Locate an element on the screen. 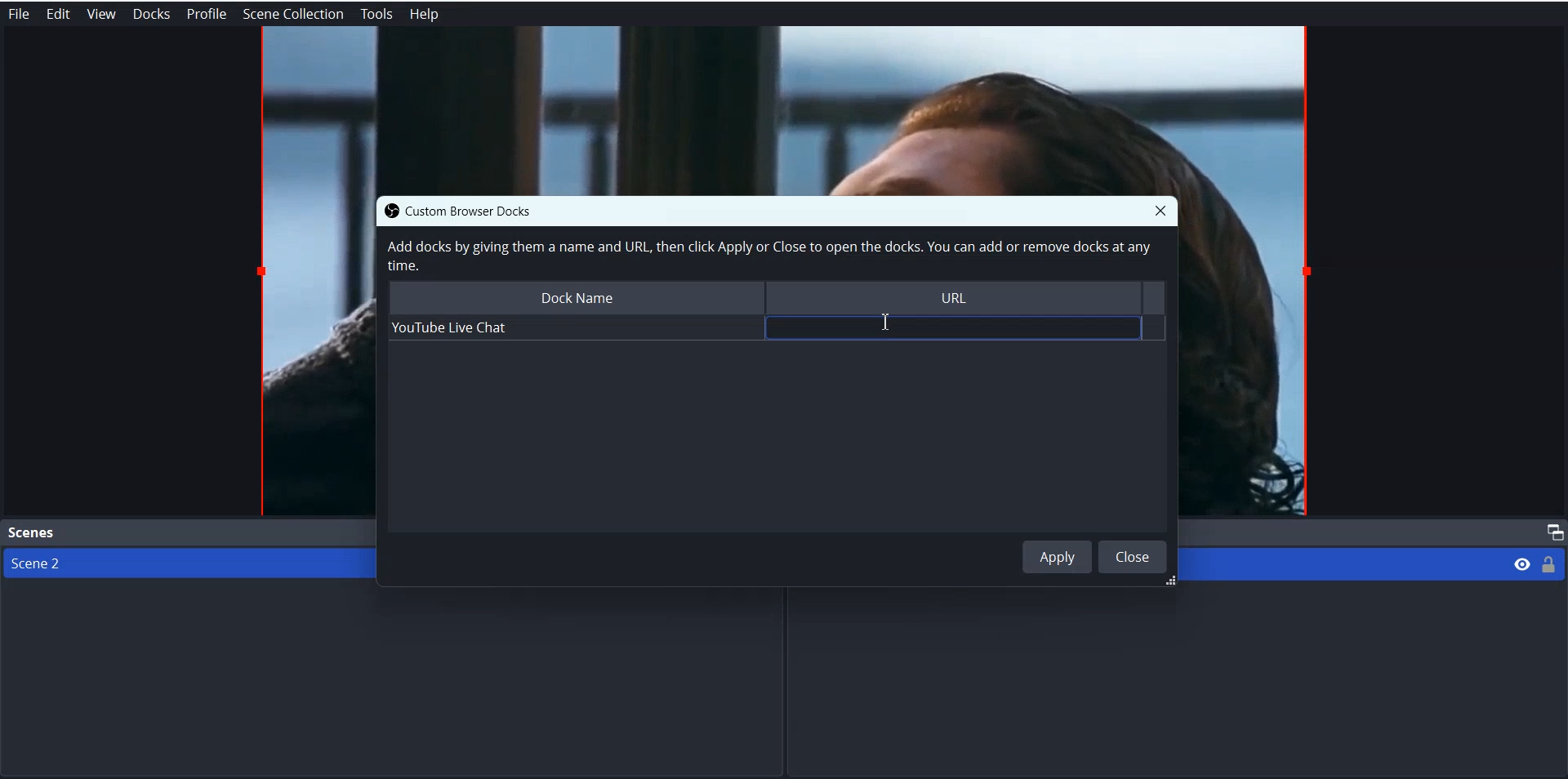  input field is located at coordinates (957, 327).